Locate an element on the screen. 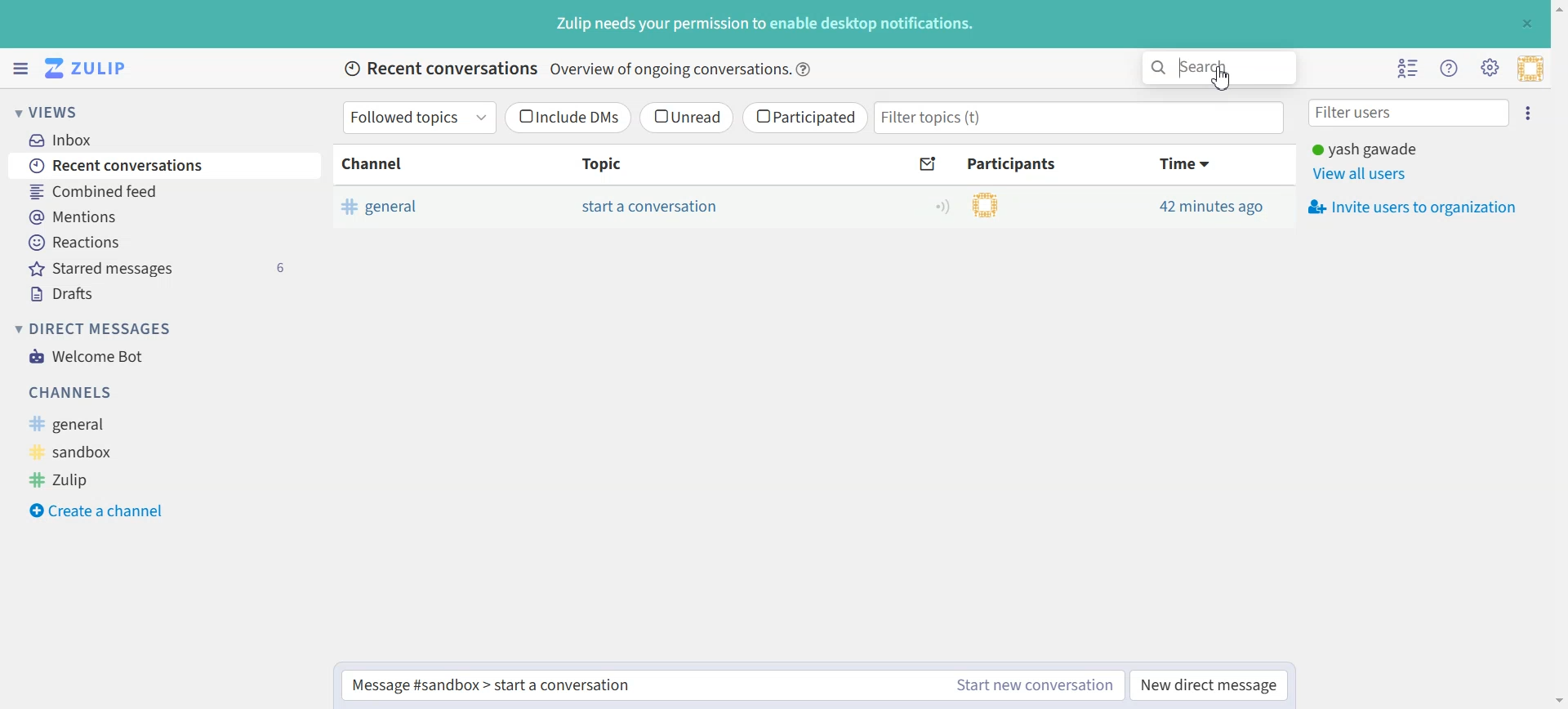  Welcome Bot is located at coordinates (87, 355).